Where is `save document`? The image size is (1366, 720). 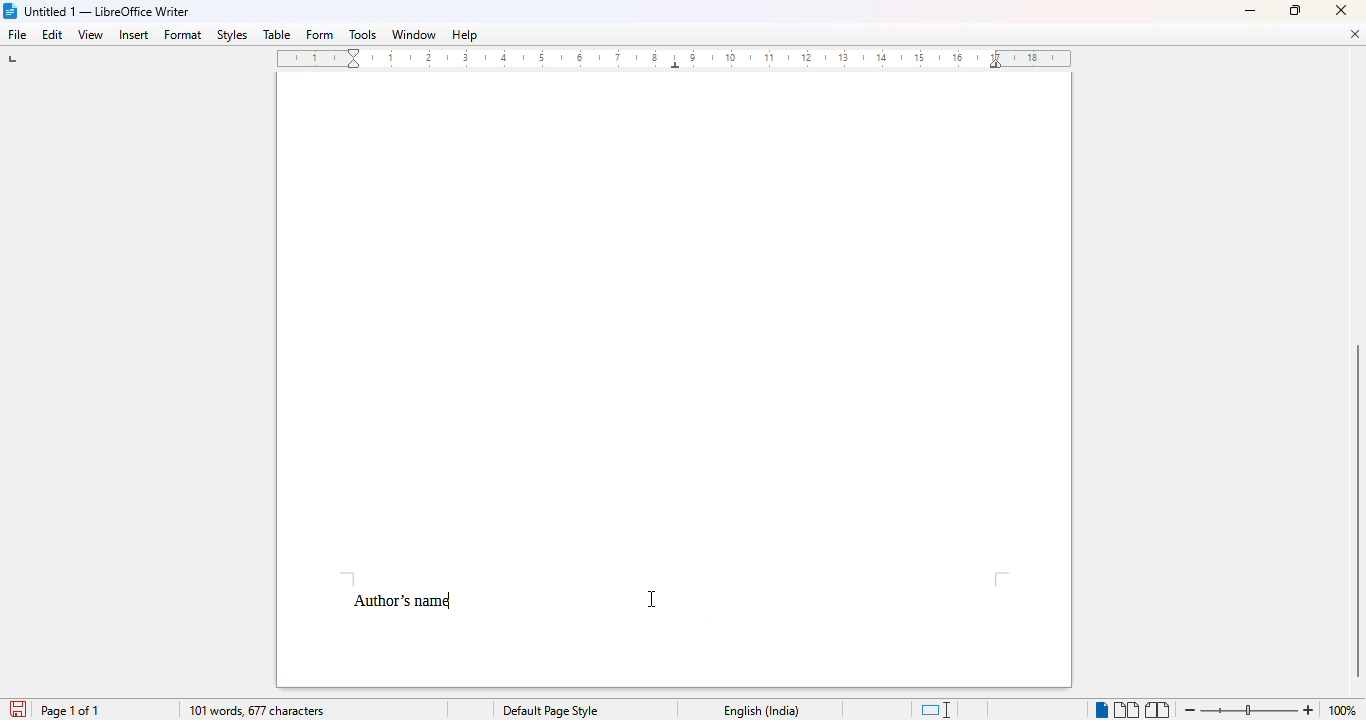
save document is located at coordinates (15, 707).